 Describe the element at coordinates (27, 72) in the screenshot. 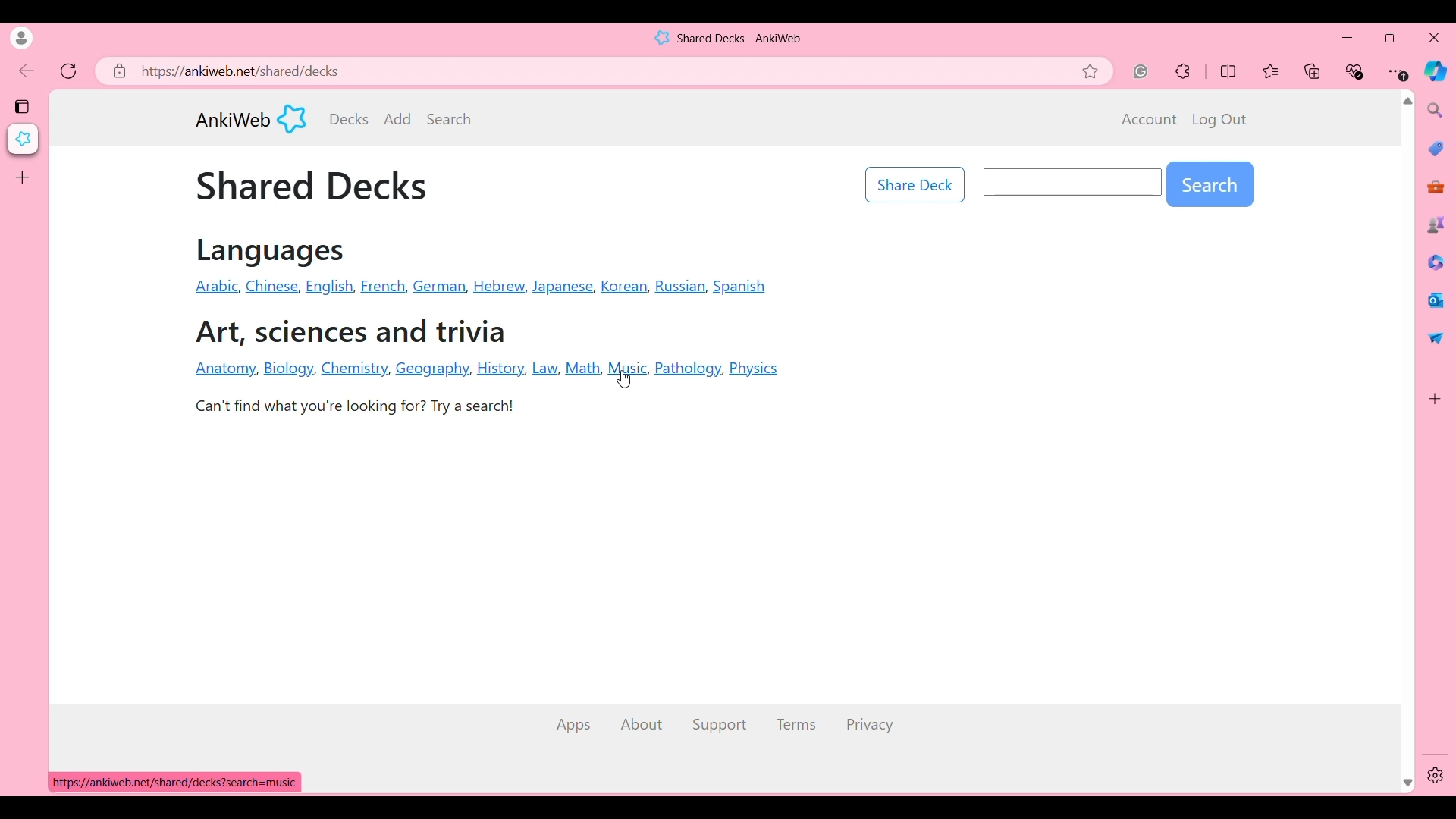

I see `Click to go back` at that location.